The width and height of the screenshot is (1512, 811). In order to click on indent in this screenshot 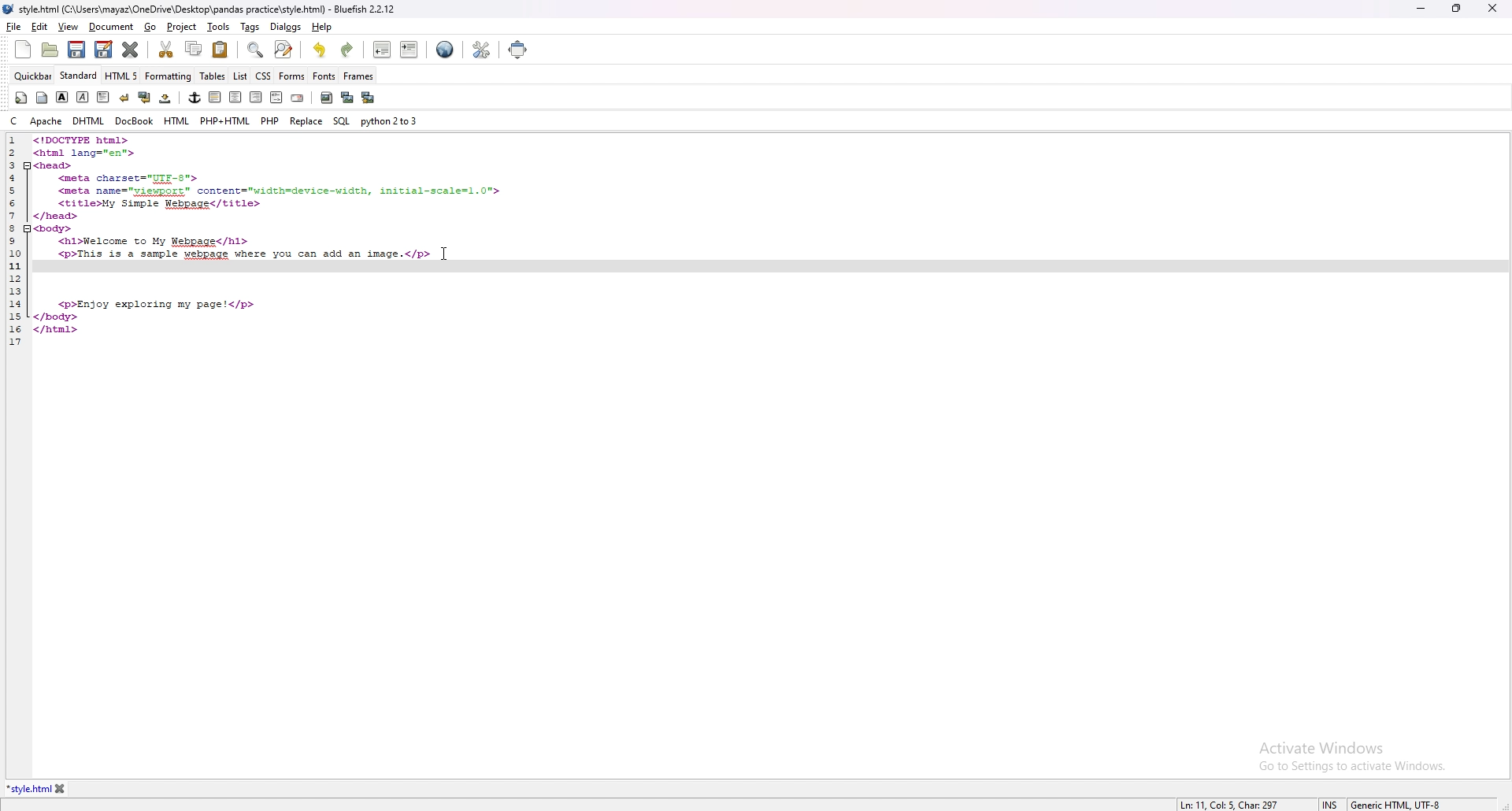, I will do `click(409, 51)`.